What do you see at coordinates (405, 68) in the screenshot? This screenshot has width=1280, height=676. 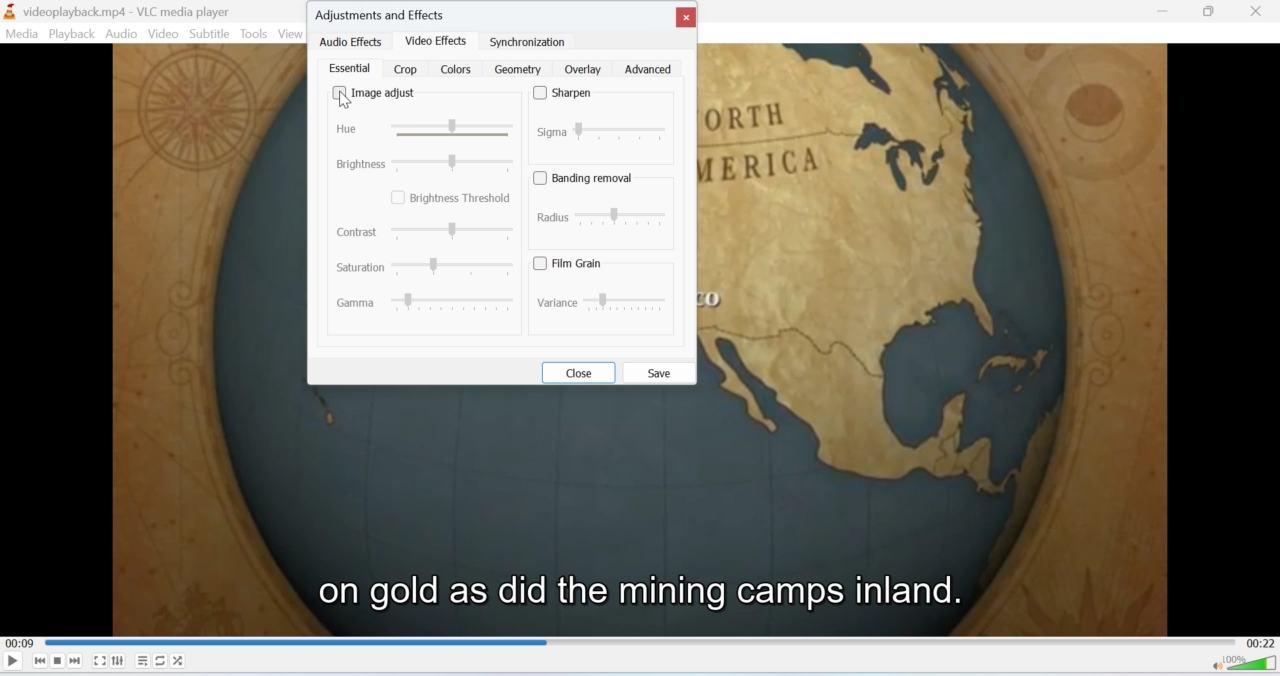 I see `crop` at bounding box center [405, 68].